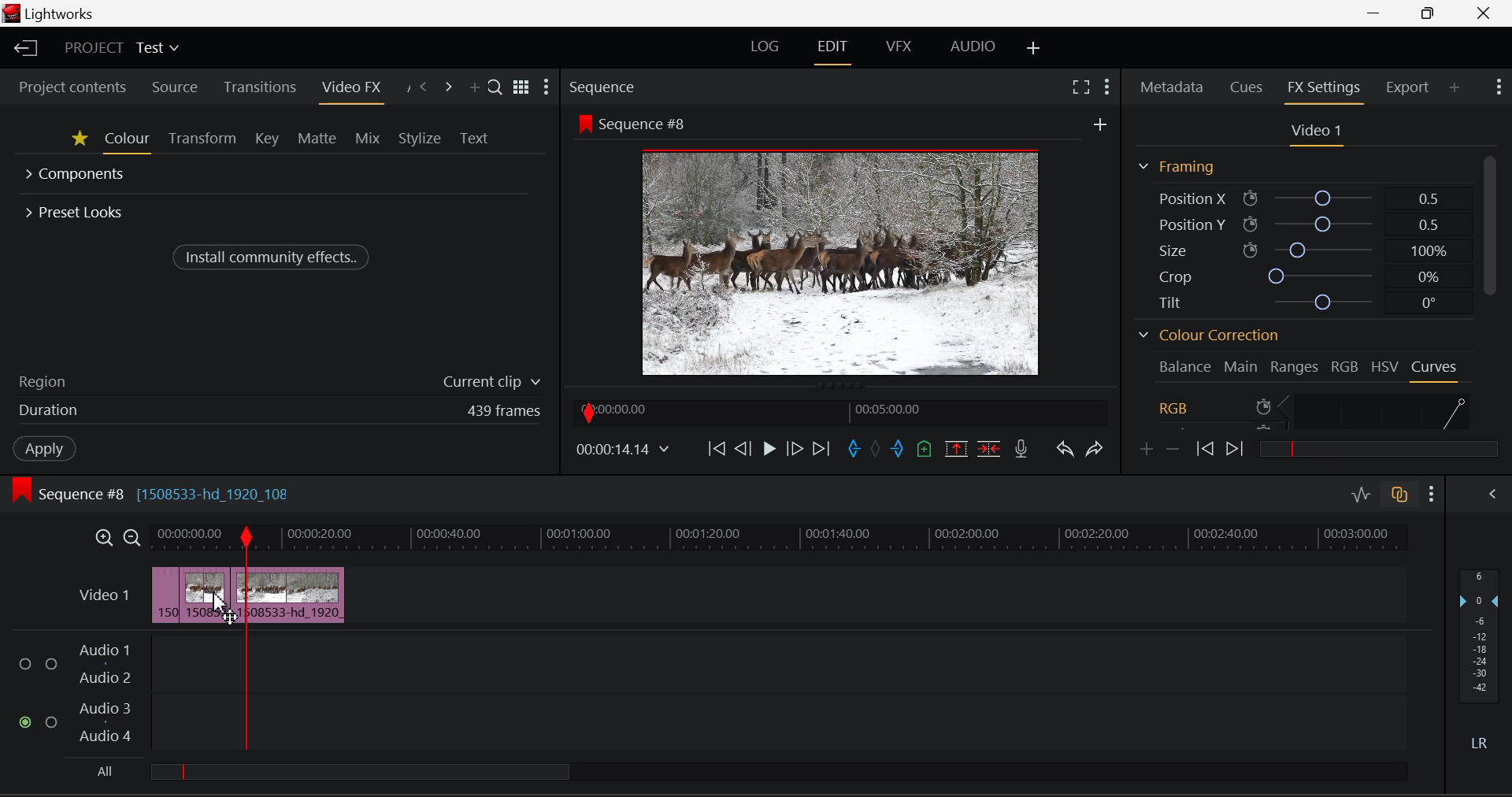 The width and height of the screenshot is (1512, 797). What do you see at coordinates (825, 449) in the screenshot?
I see `To End` at bounding box center [825, 449].